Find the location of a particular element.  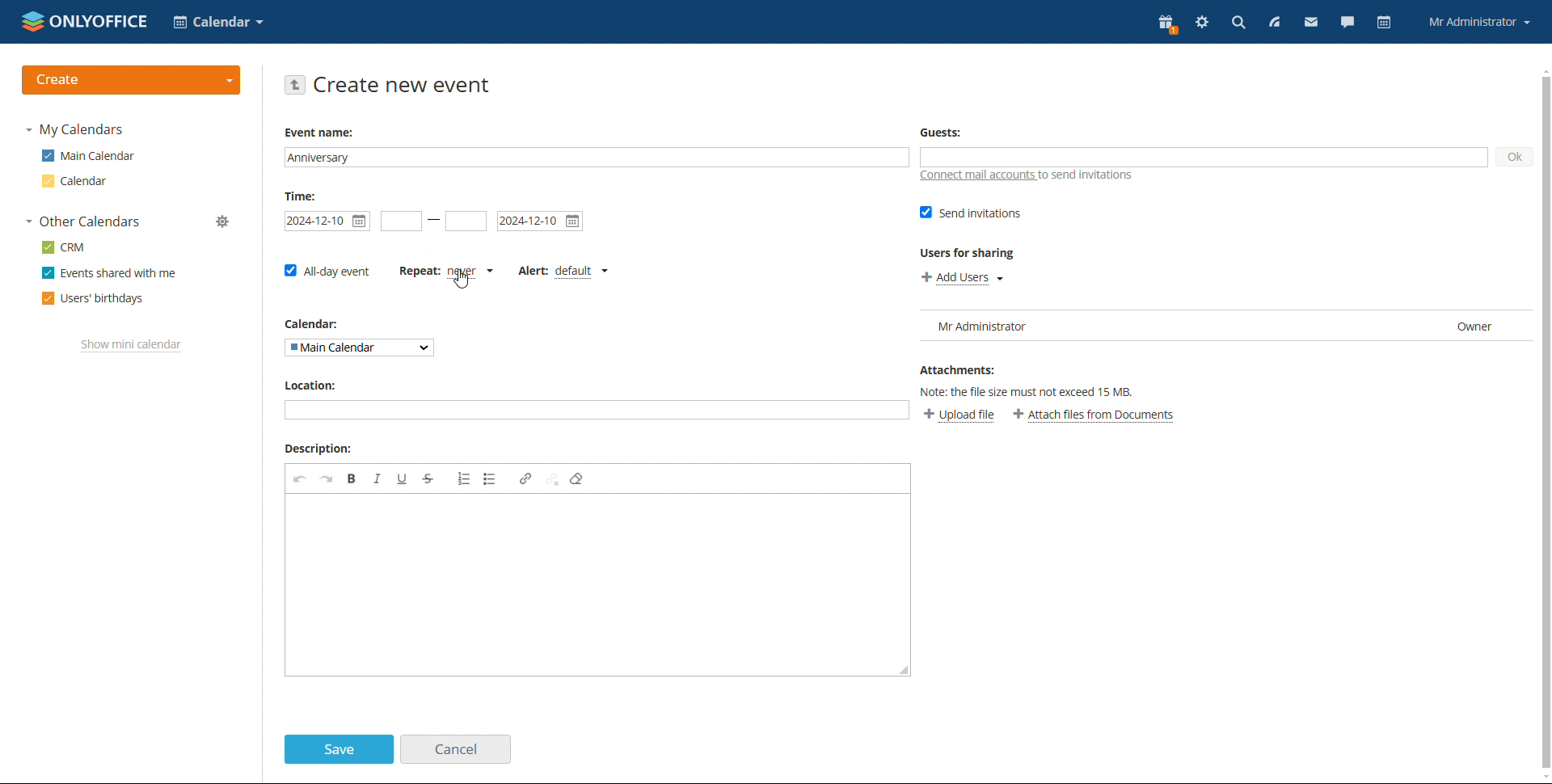

events shared with me is located at coordinates (108, 272).